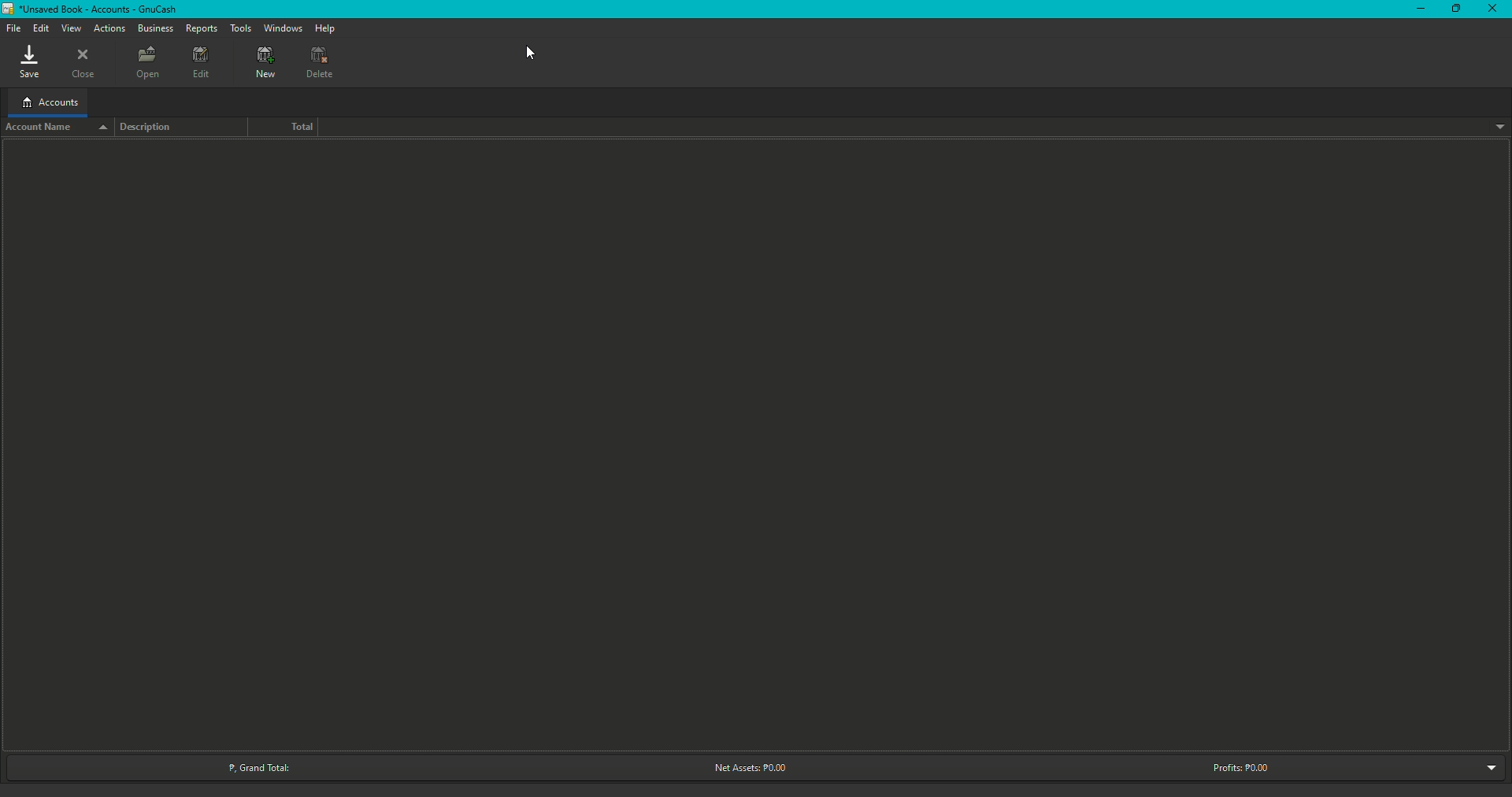  I want to click on File, so click(12, 26).